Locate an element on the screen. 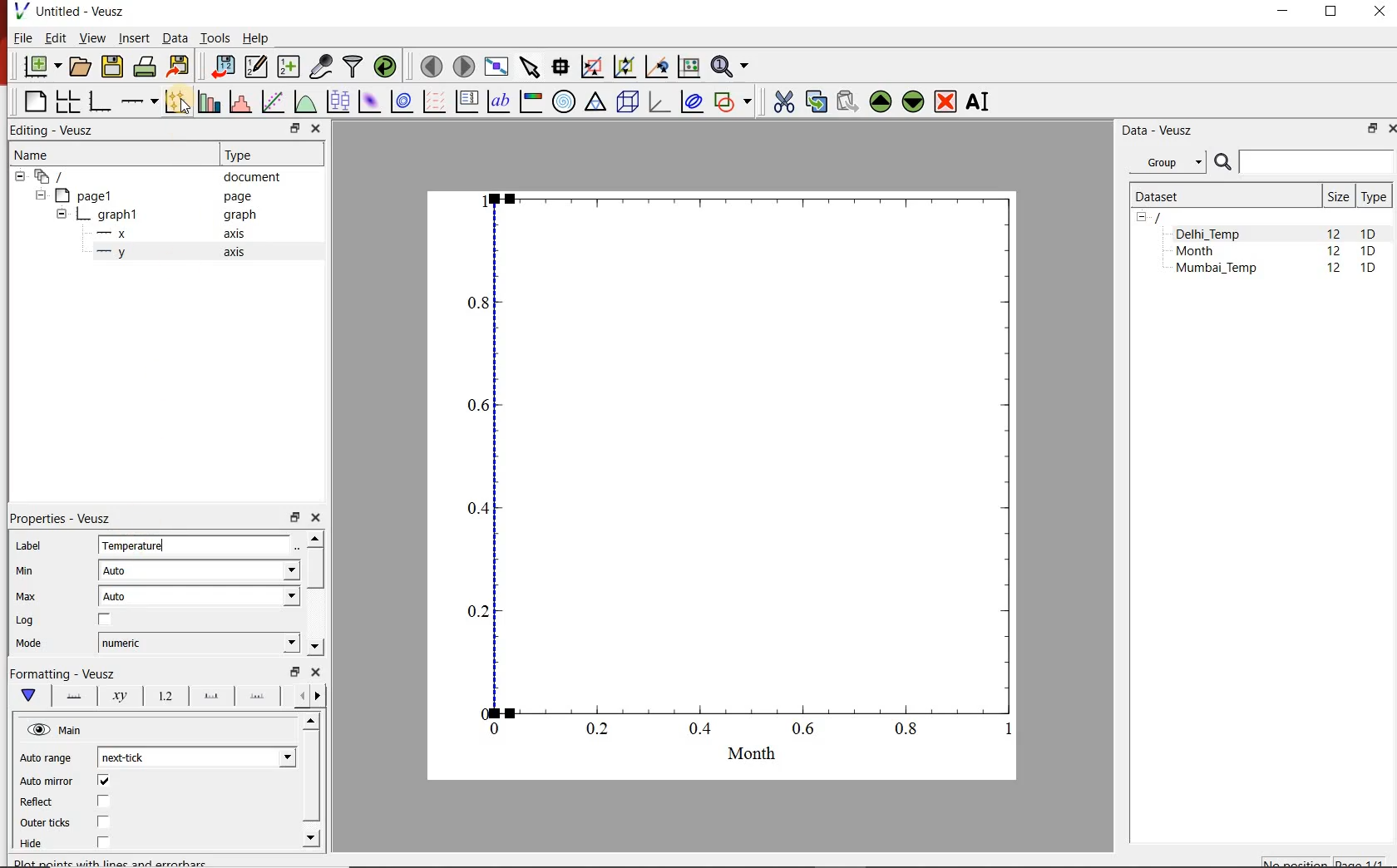 The width and height of the screenshot is (1397, 868). renames the selected widget is located at coordinates (979, 102).